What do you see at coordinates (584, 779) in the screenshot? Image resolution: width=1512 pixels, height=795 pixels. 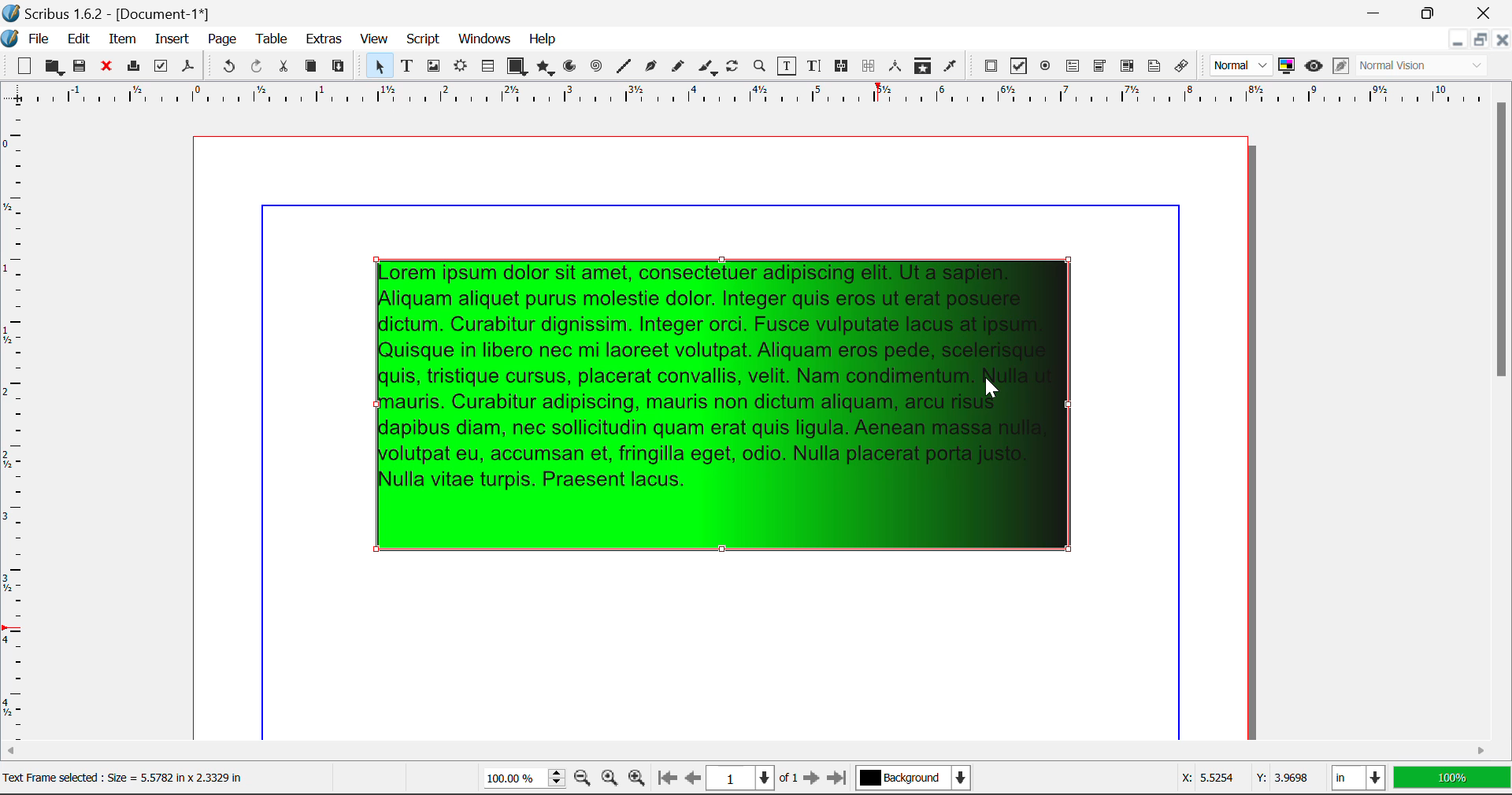 I see `Zoom Out` at bounding box center [584, 779].